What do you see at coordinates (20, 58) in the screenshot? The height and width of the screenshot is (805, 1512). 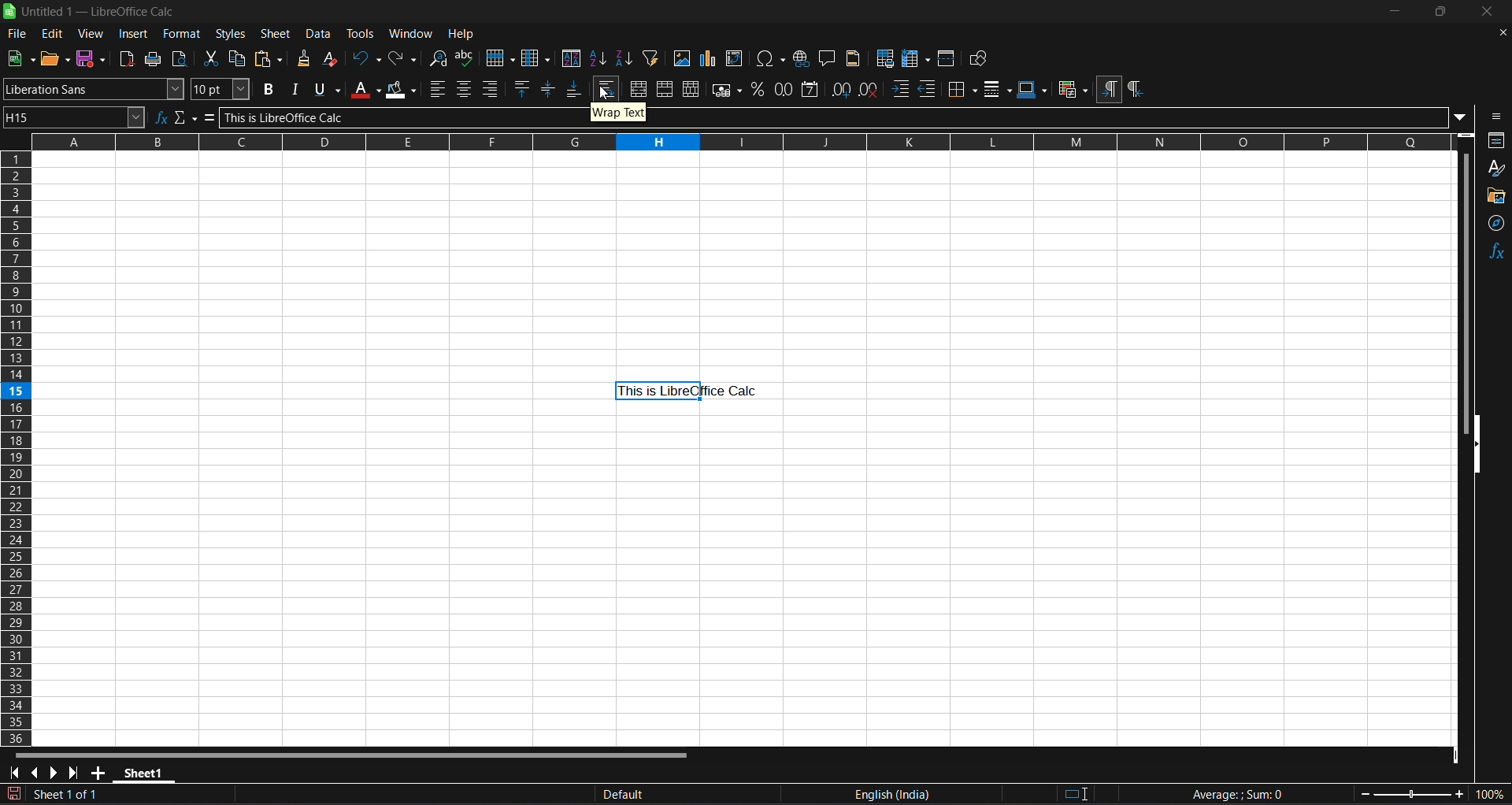 I see `new` at bounding box center [20, 58].